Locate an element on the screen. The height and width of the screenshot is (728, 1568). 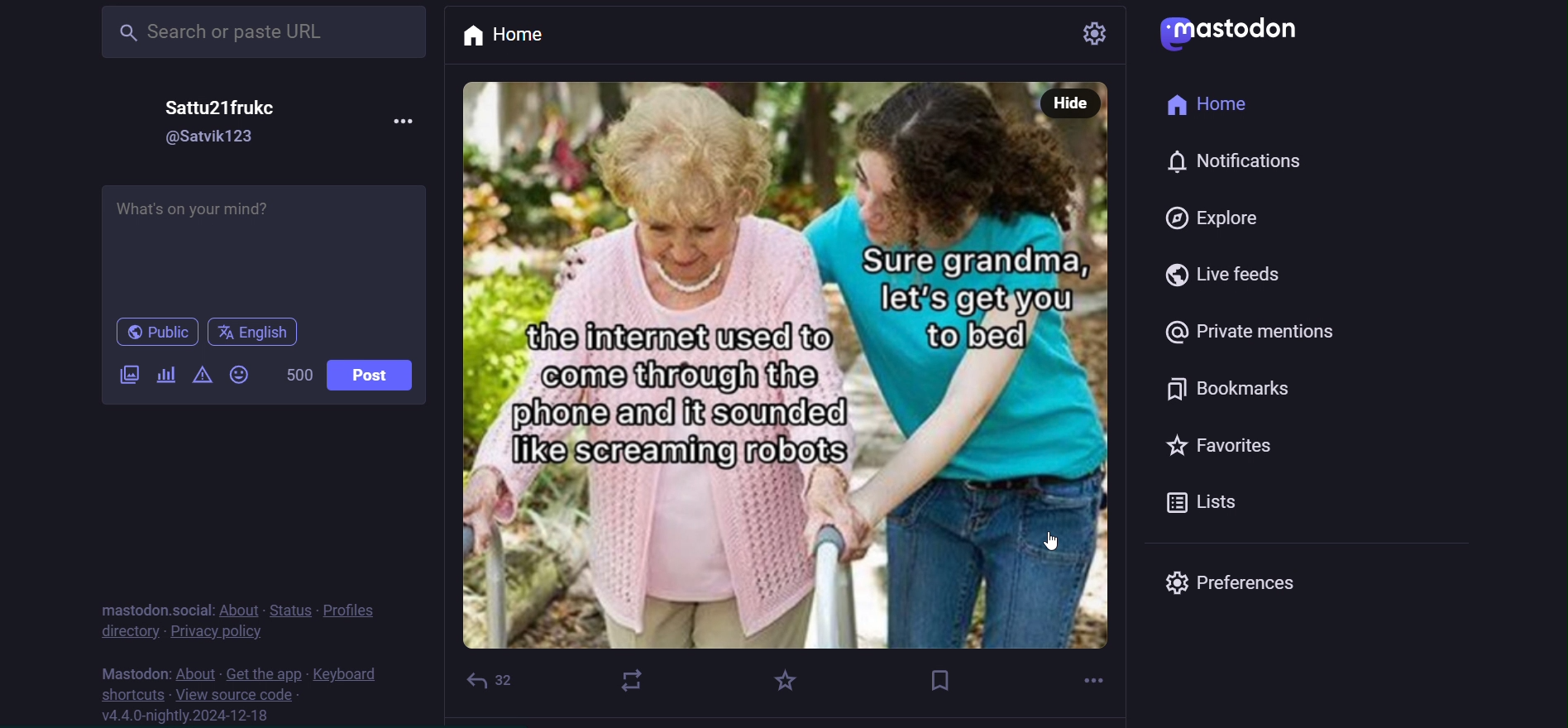
shortcut is located at coordinates (128, 694).